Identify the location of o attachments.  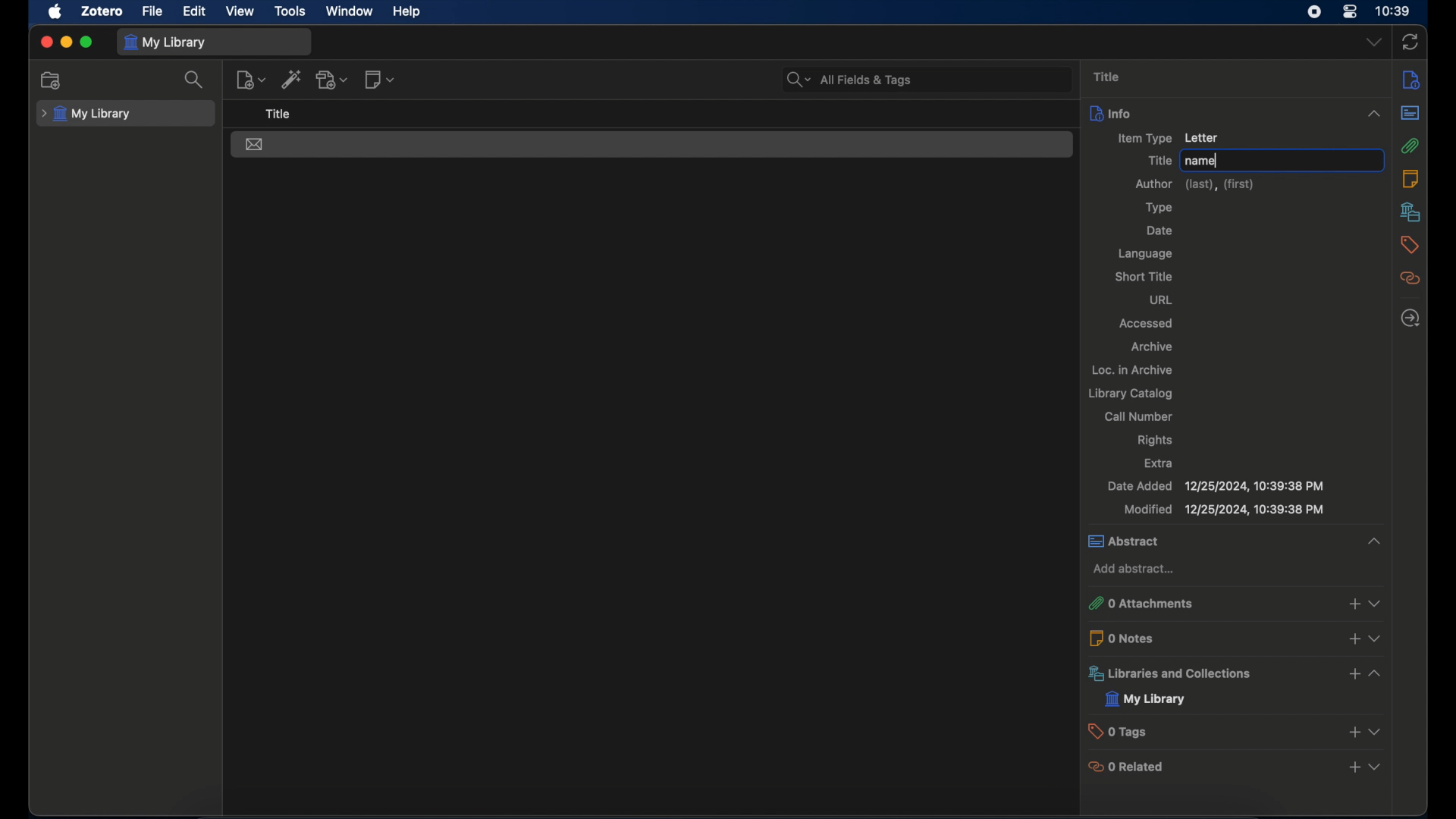
(1144, 604).